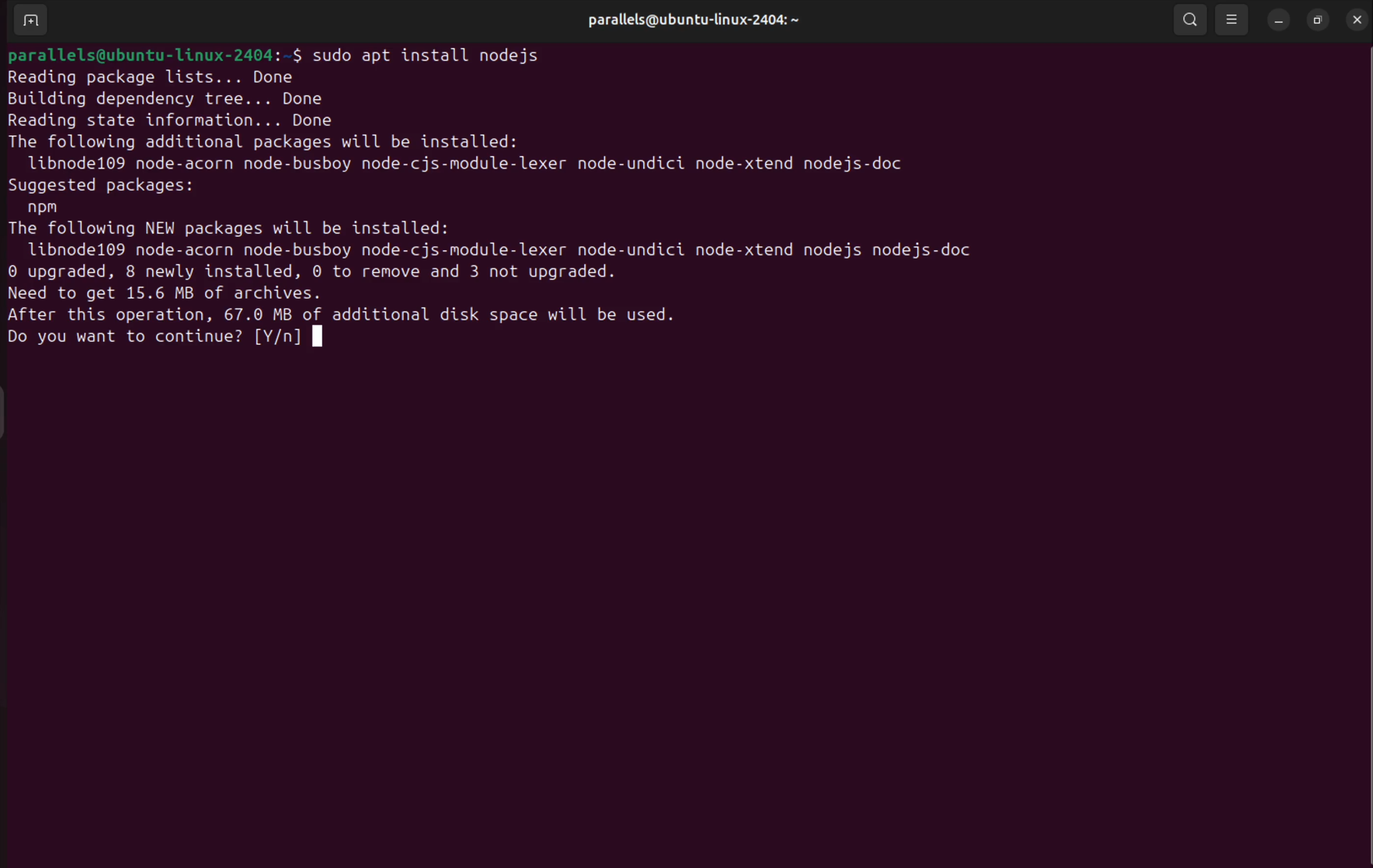 The height and width of the screenshot is (868, 1373). What do you see at coordinates (1317, 20) in the screenshot?
I see `resize` at bounding box center [1317, 20].